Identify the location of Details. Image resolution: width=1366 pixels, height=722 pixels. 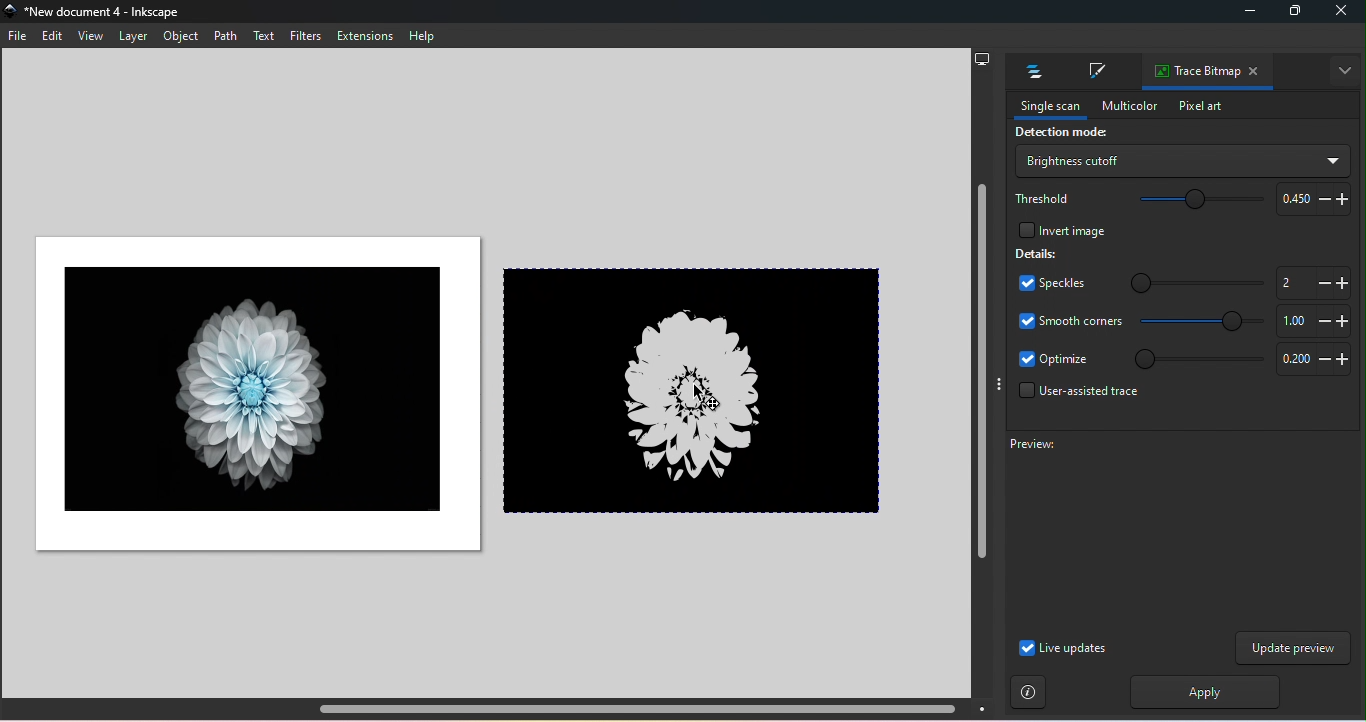
(1037, 253).